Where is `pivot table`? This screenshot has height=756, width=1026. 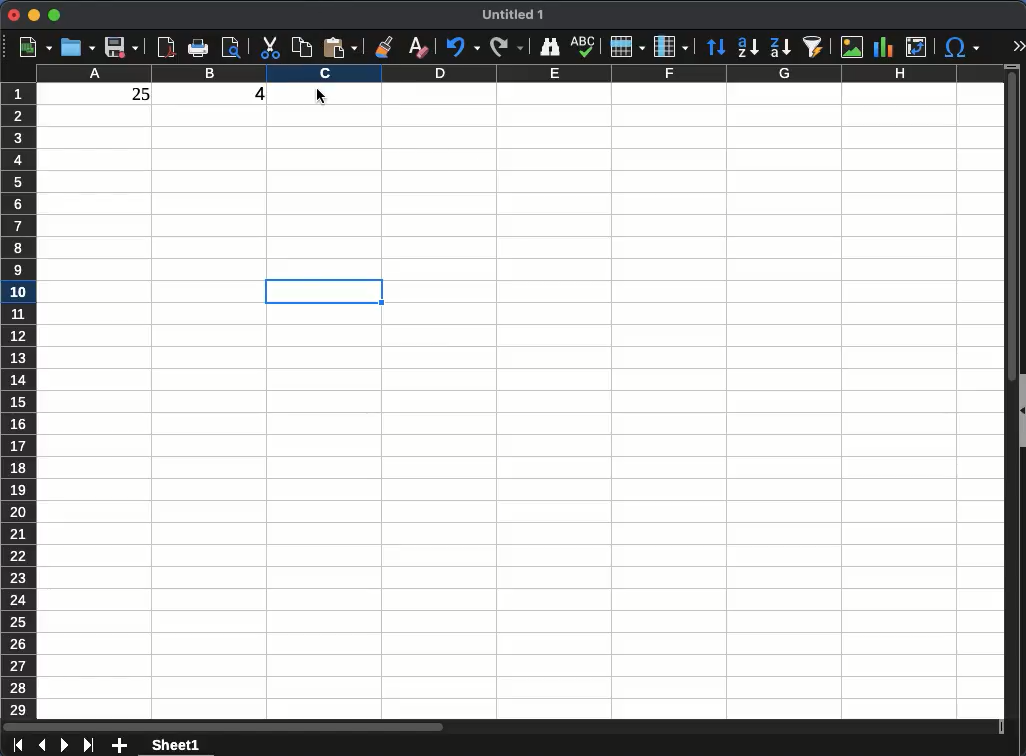 pivot table is located at coordinates (917, 47).